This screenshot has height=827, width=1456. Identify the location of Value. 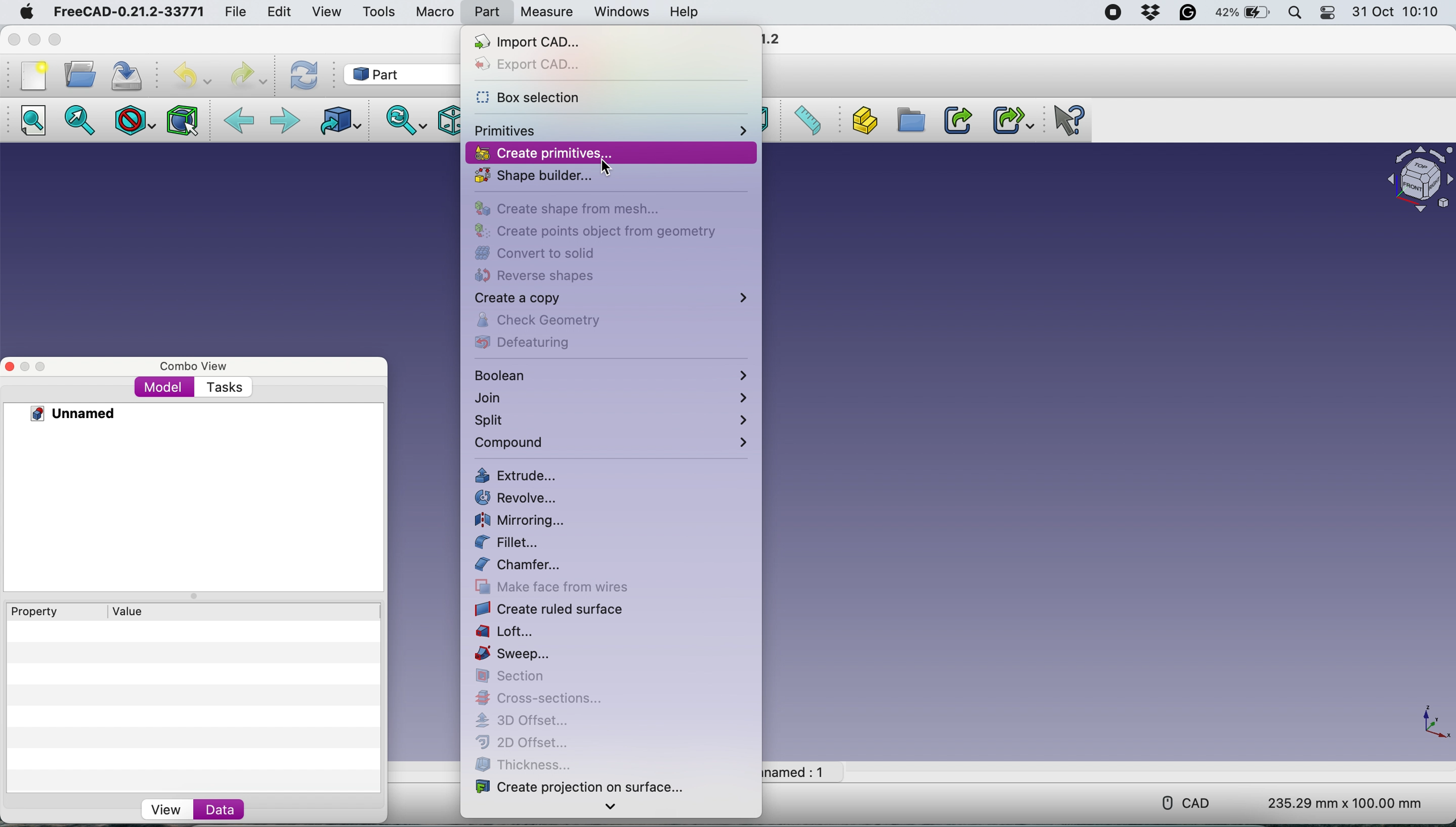
(131, 611).